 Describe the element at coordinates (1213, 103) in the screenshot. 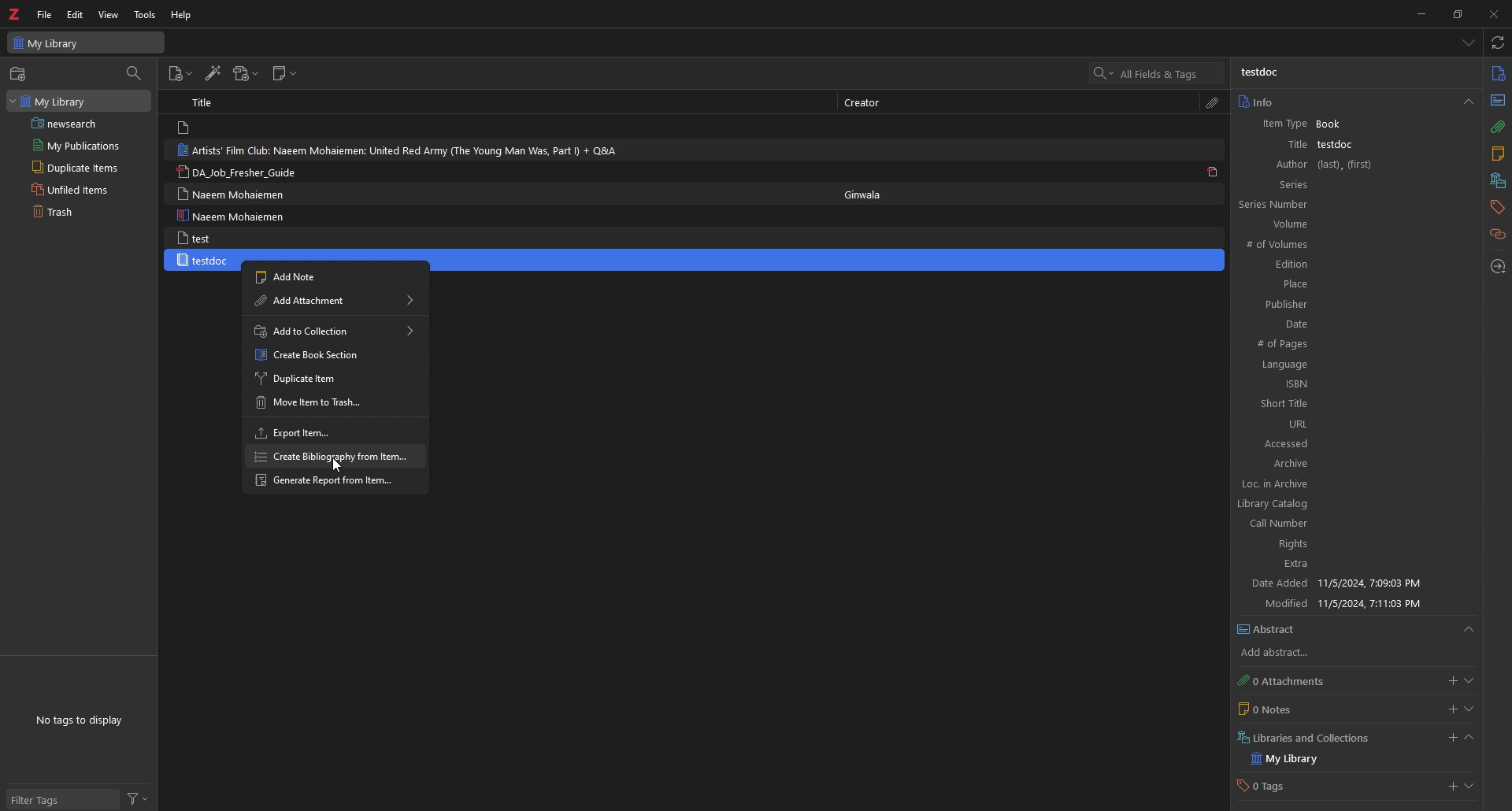

I see `attachment` at that location.